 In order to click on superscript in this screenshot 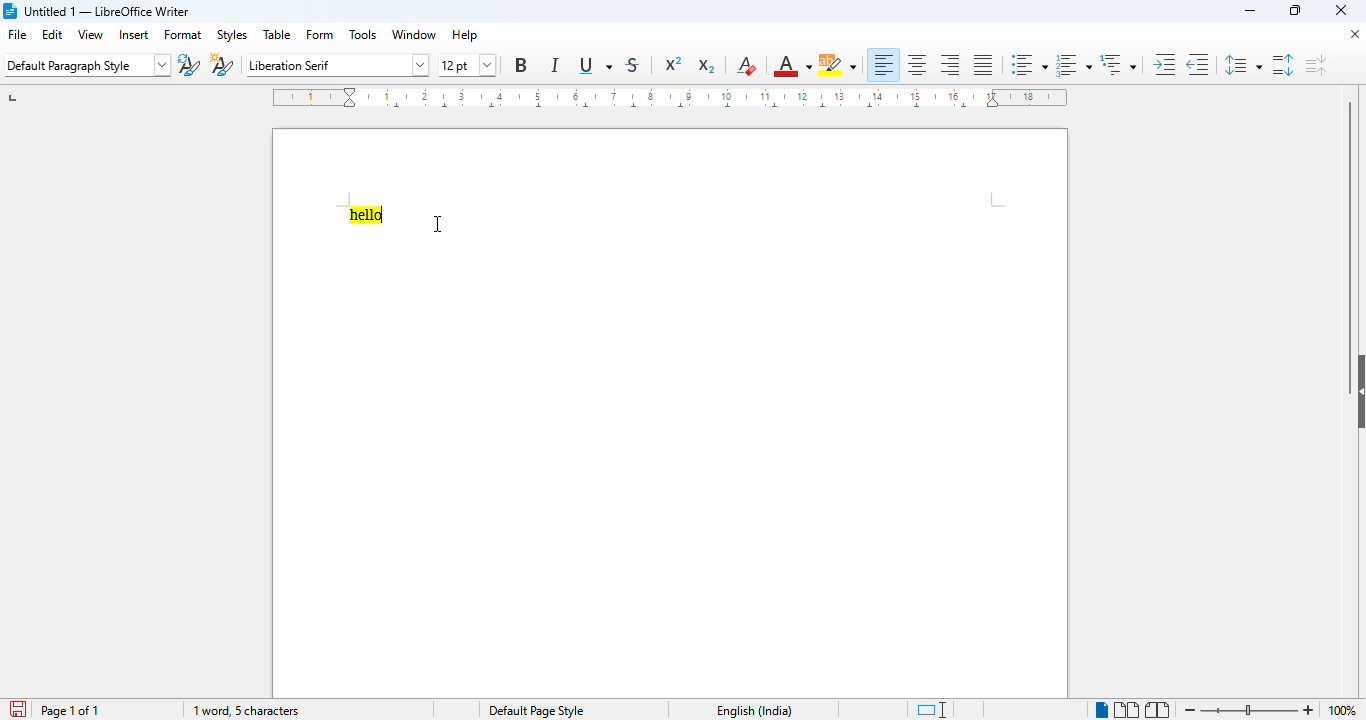, I will do `click(674, 64)`.